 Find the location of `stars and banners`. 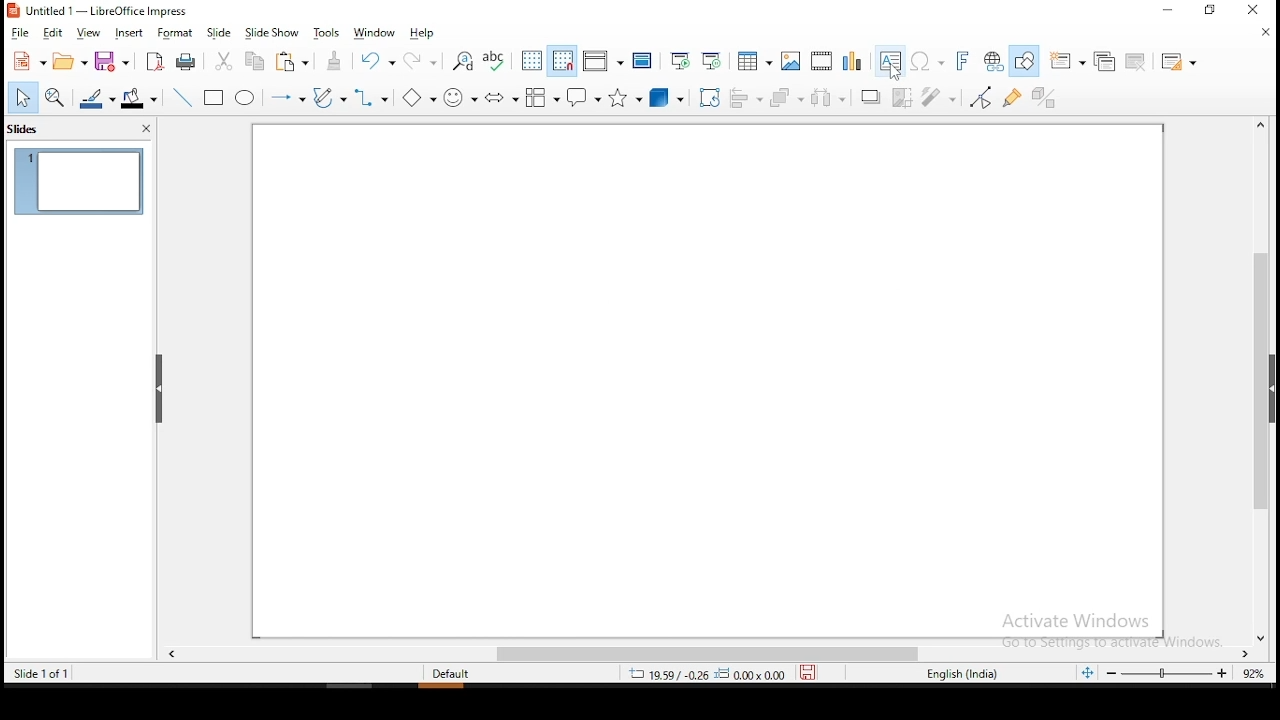

stars and banners is located at coordinates (626, 95).